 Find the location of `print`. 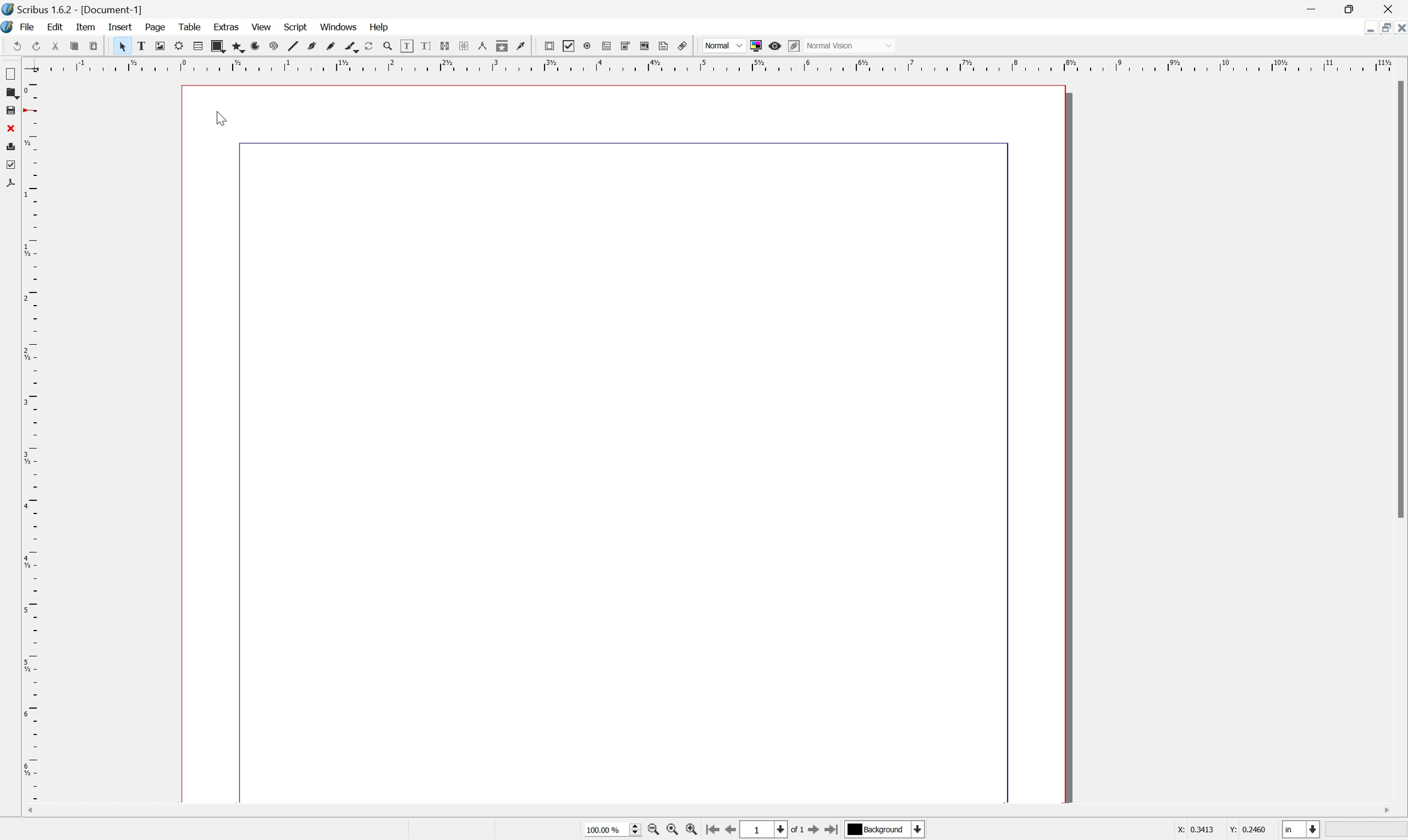

print is located at coordinates (94, 45).